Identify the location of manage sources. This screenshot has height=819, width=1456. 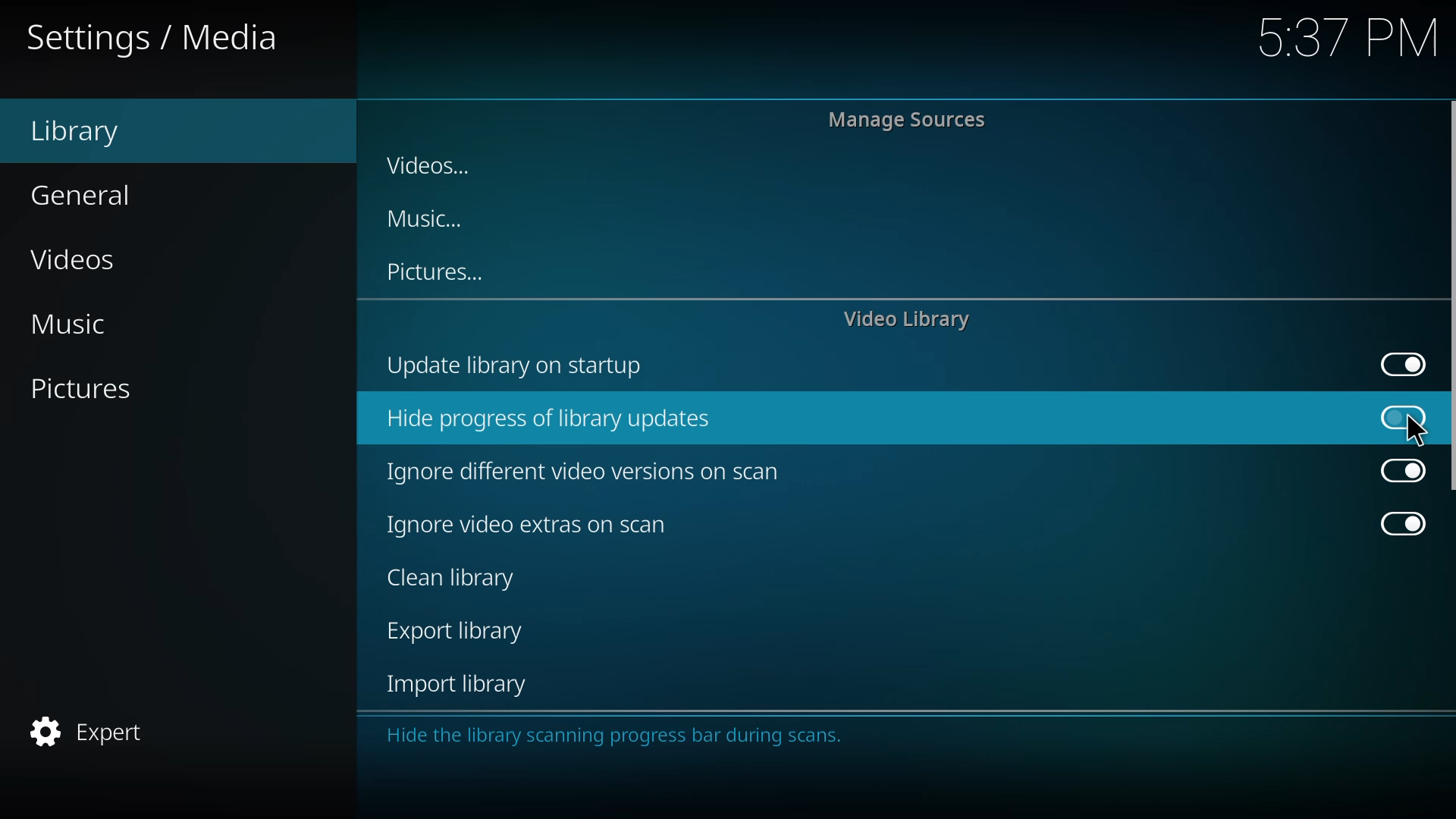
(905, 124).